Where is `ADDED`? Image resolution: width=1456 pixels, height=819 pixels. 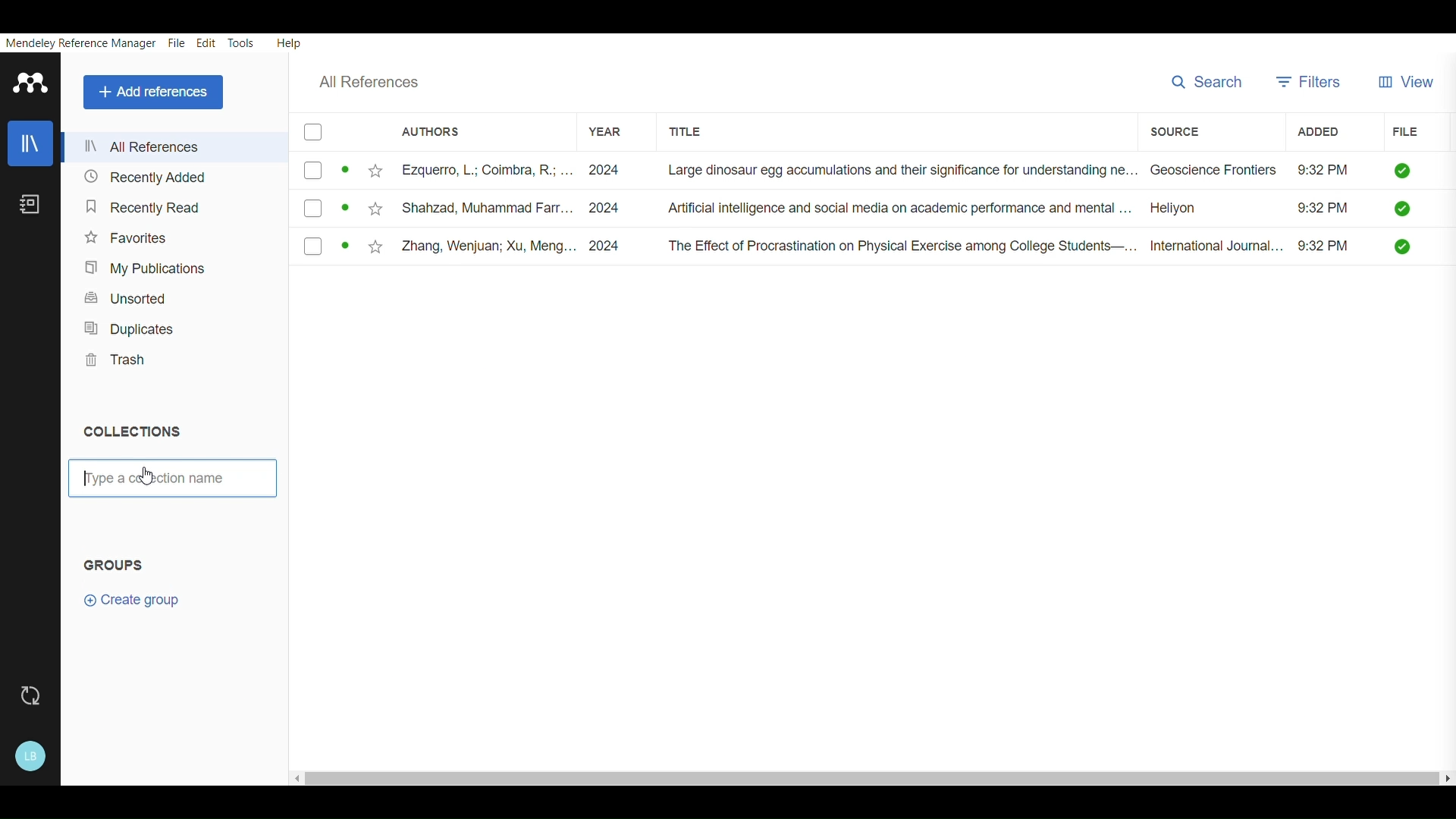
ADDED is located at coordinates (1312, 133).